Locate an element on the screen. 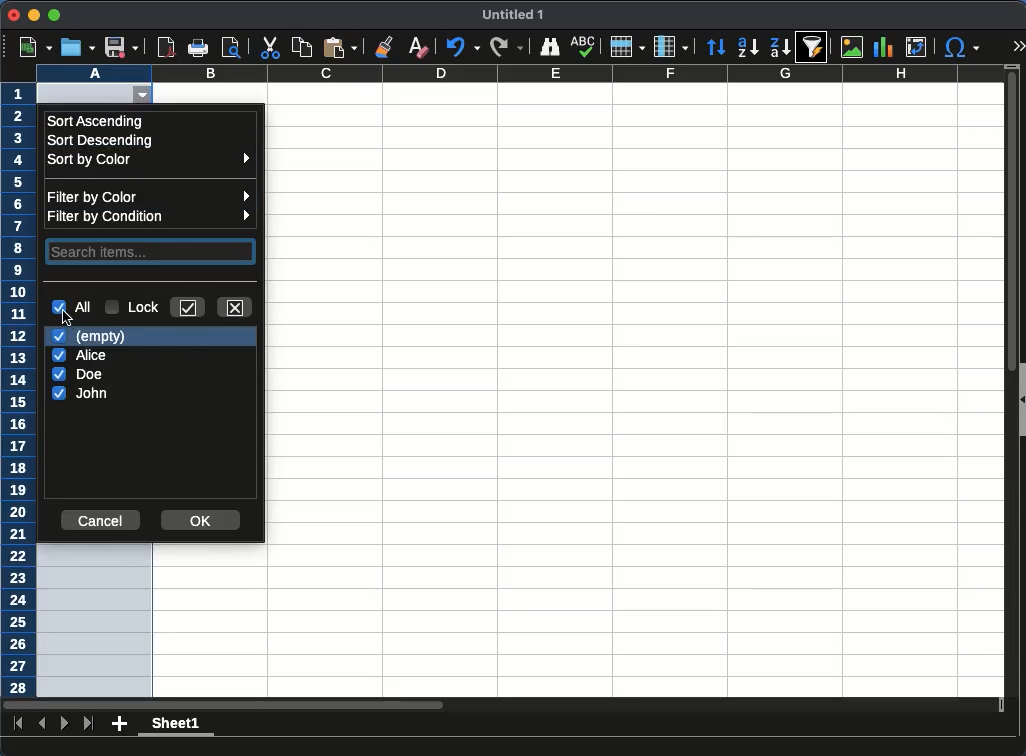 The image size is (1026, 756). pdf reviewer is located at coordinates (167, 47).